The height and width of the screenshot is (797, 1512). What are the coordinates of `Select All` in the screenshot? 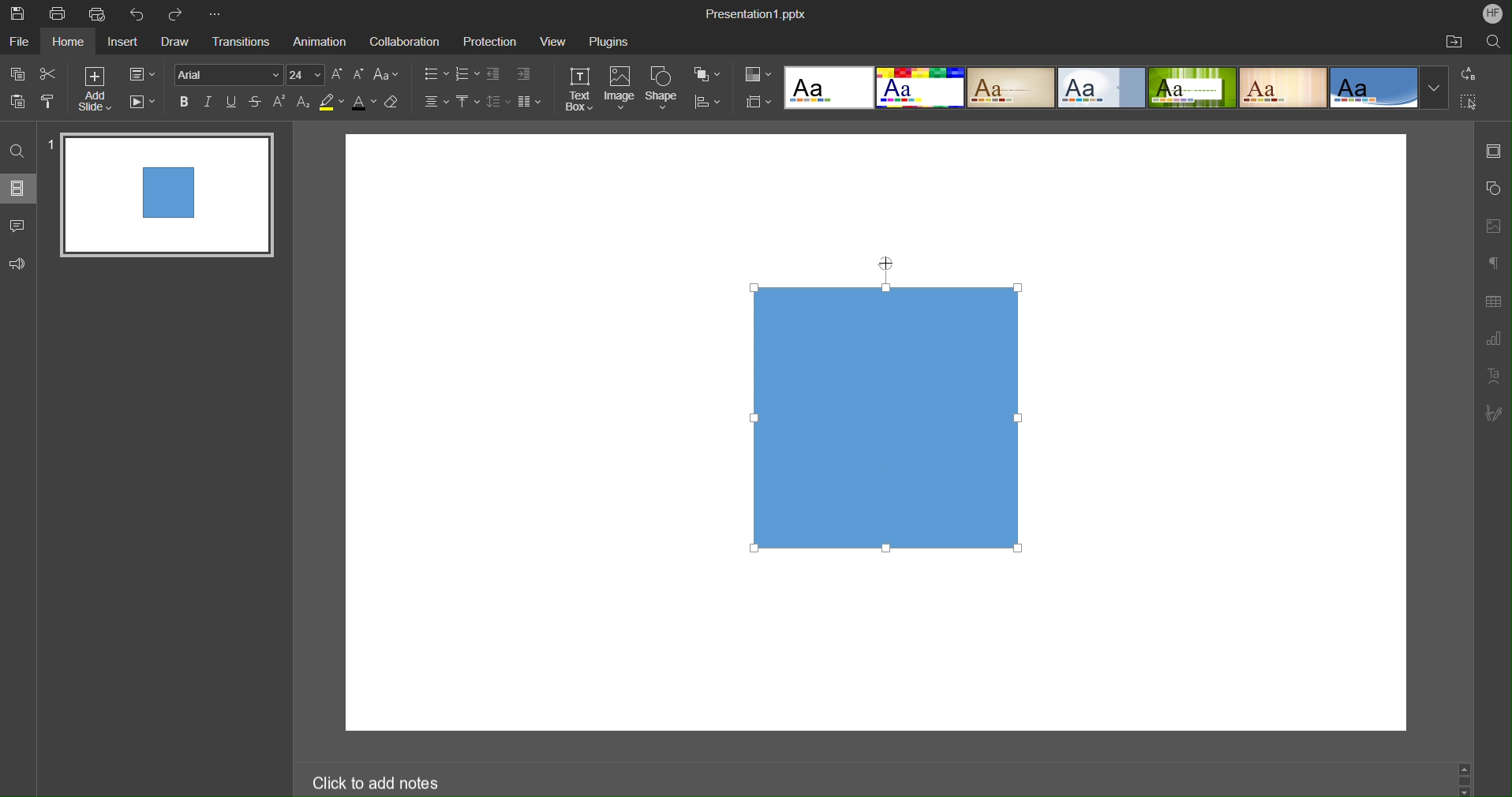 It's located at (1469, 101).